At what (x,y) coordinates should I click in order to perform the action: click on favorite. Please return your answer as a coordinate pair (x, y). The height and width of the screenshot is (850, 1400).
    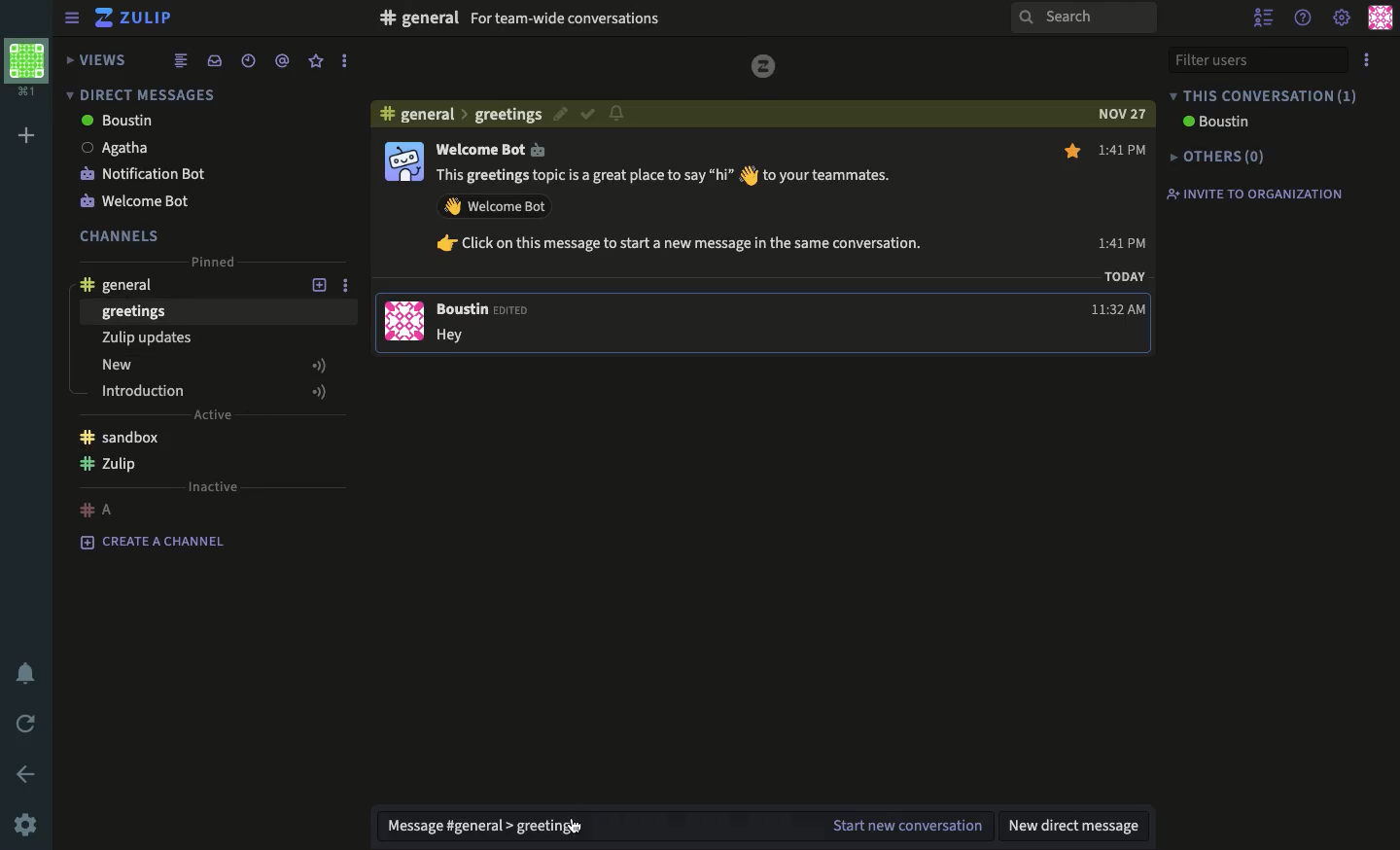
    Looking at the image, I should click on (317, 61).